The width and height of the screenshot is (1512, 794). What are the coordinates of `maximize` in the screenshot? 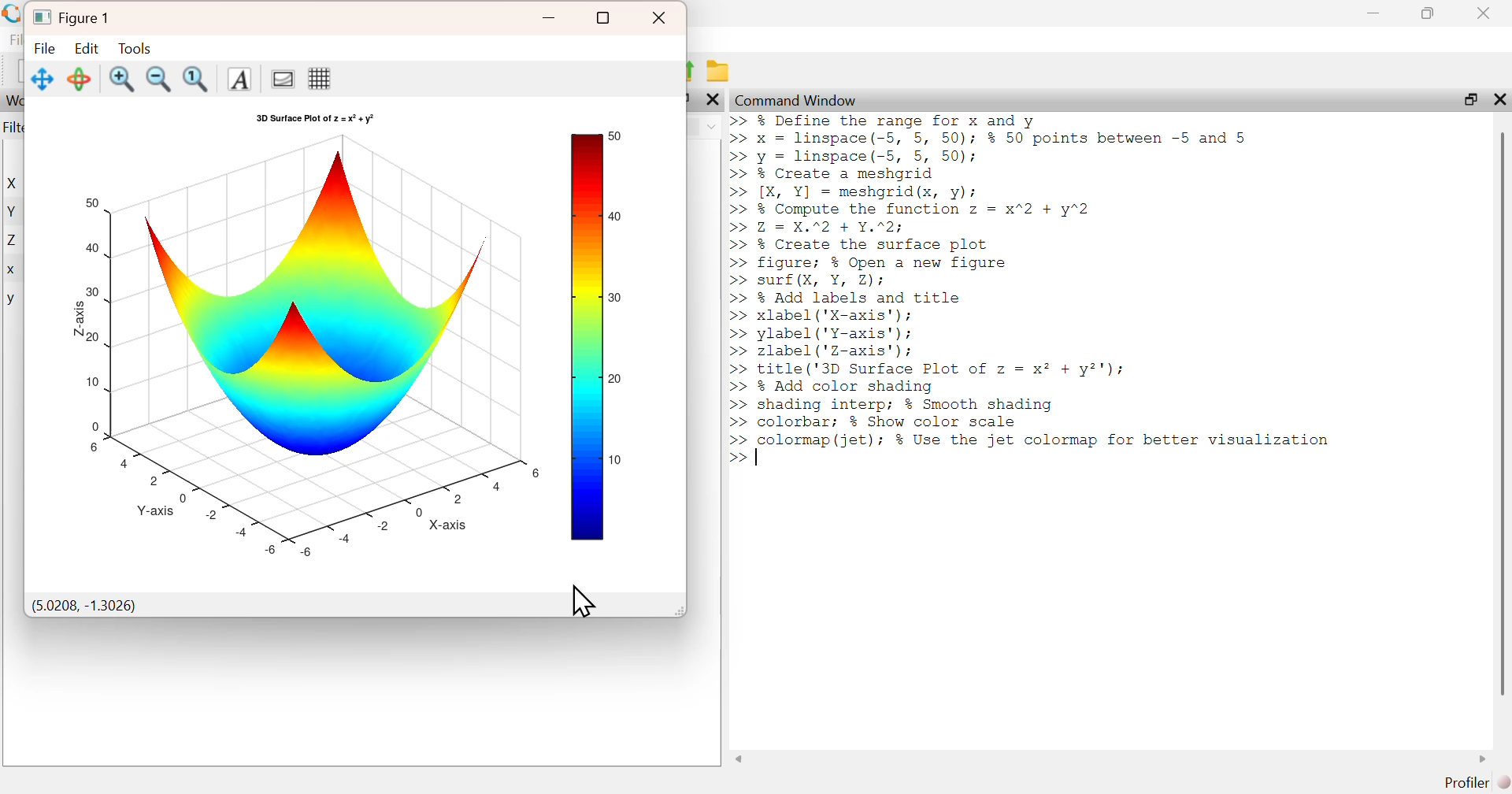 It's located at (1429, 13).